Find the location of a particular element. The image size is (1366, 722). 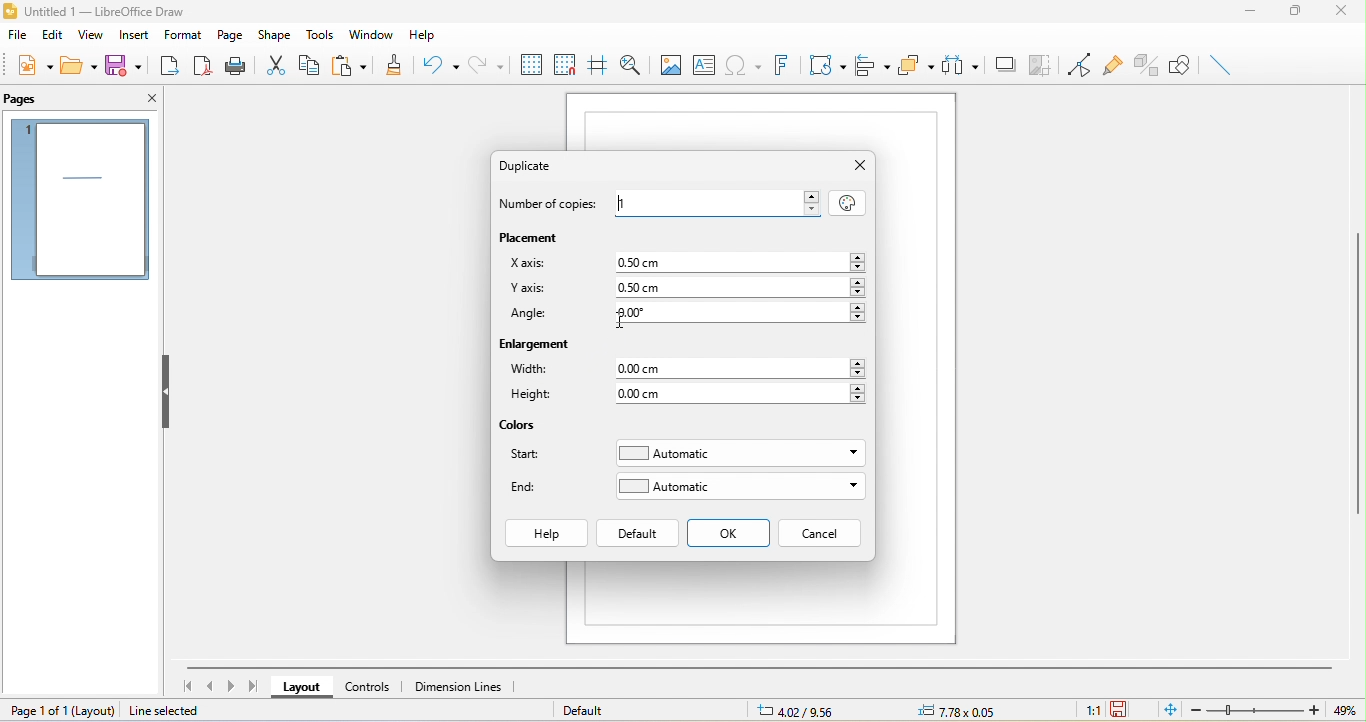

previous page is located at coordinates (210, 687).